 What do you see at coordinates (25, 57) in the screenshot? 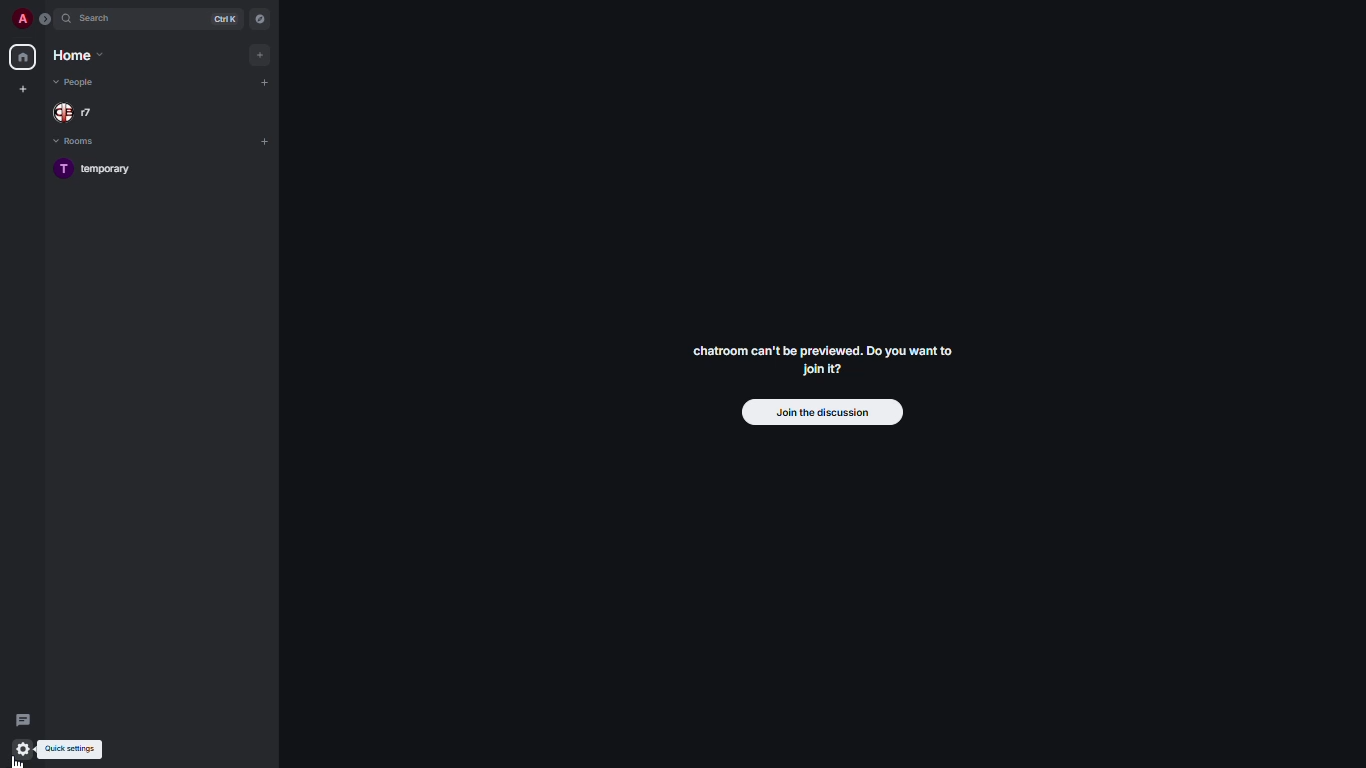
I see `home` at bounding box center [25, 57].